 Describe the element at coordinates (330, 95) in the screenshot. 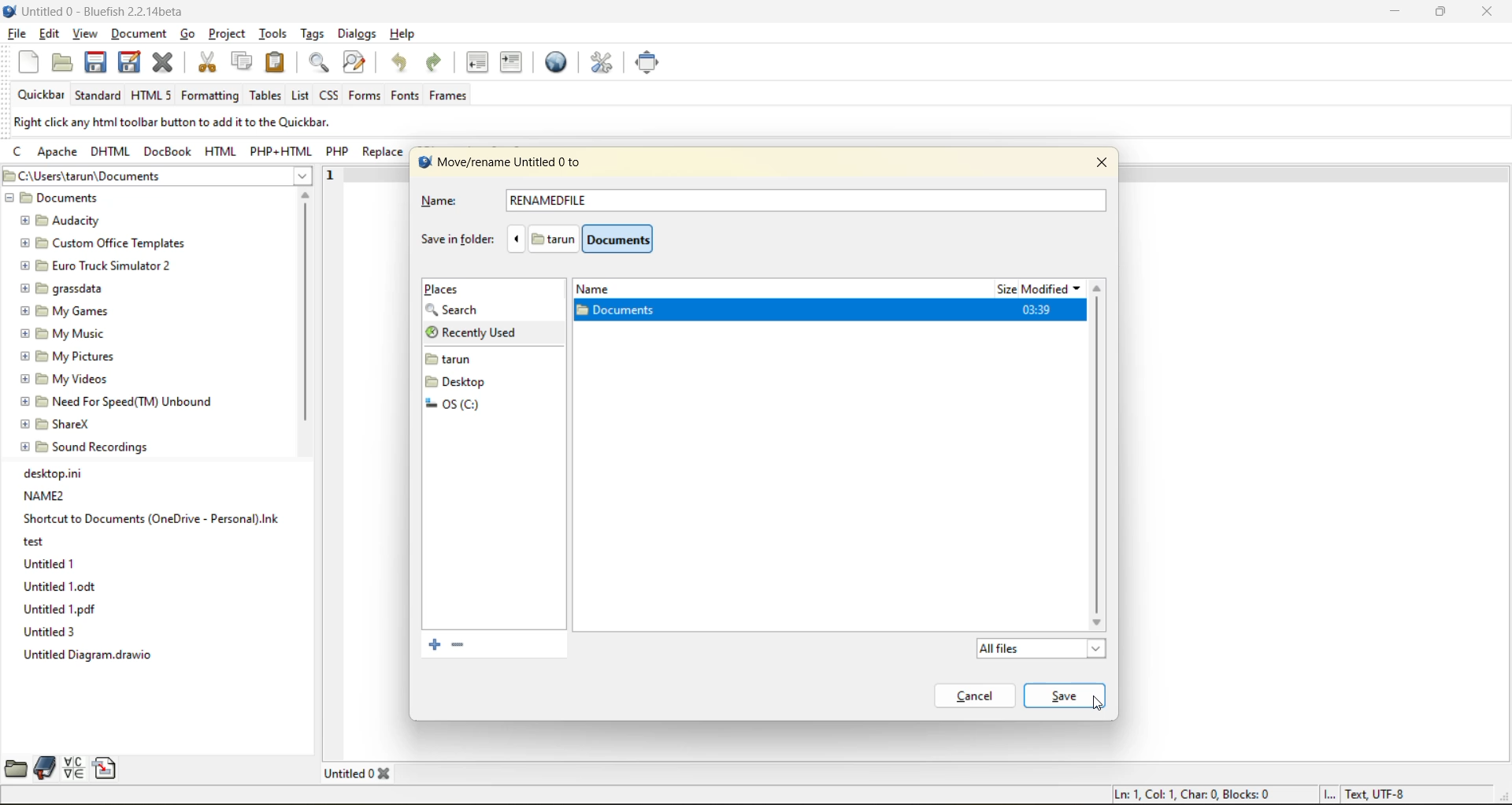

I see `css` at that location.